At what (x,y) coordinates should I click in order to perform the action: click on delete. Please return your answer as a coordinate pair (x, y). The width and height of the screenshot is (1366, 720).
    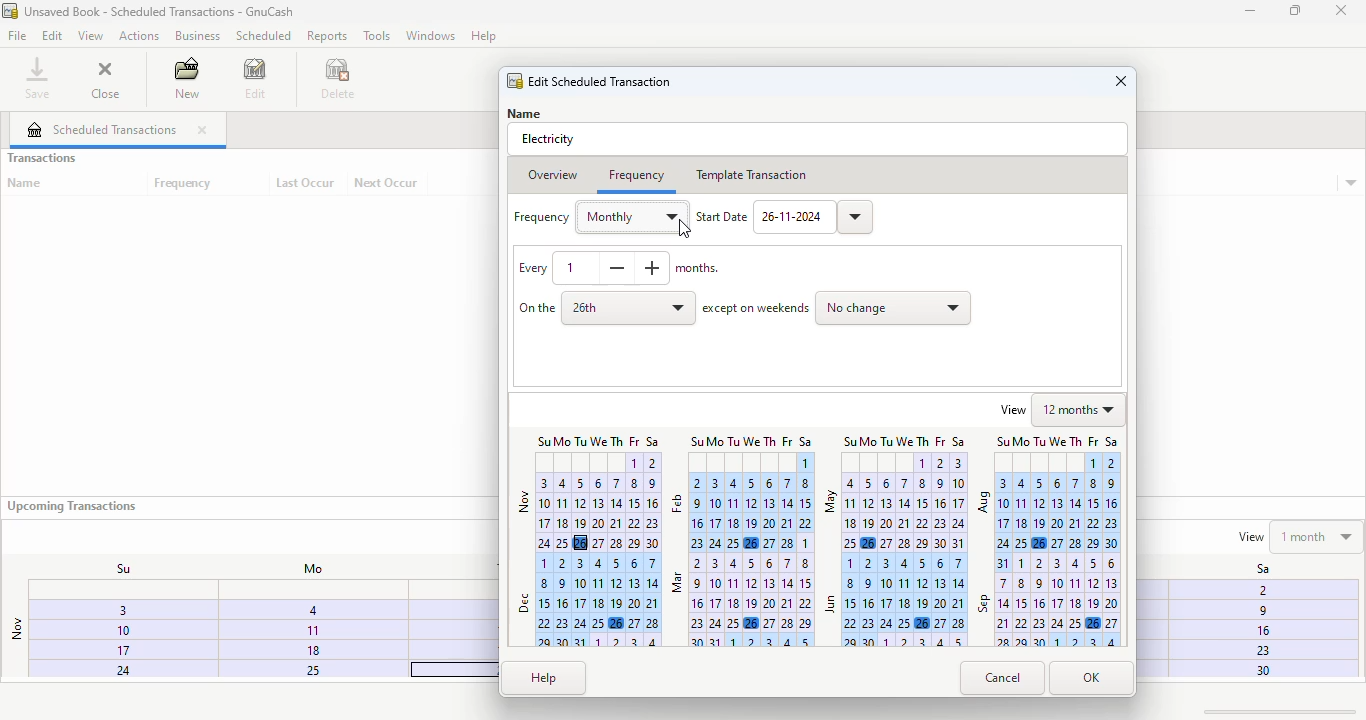
    Looking at the image, I should click on (339, 78).